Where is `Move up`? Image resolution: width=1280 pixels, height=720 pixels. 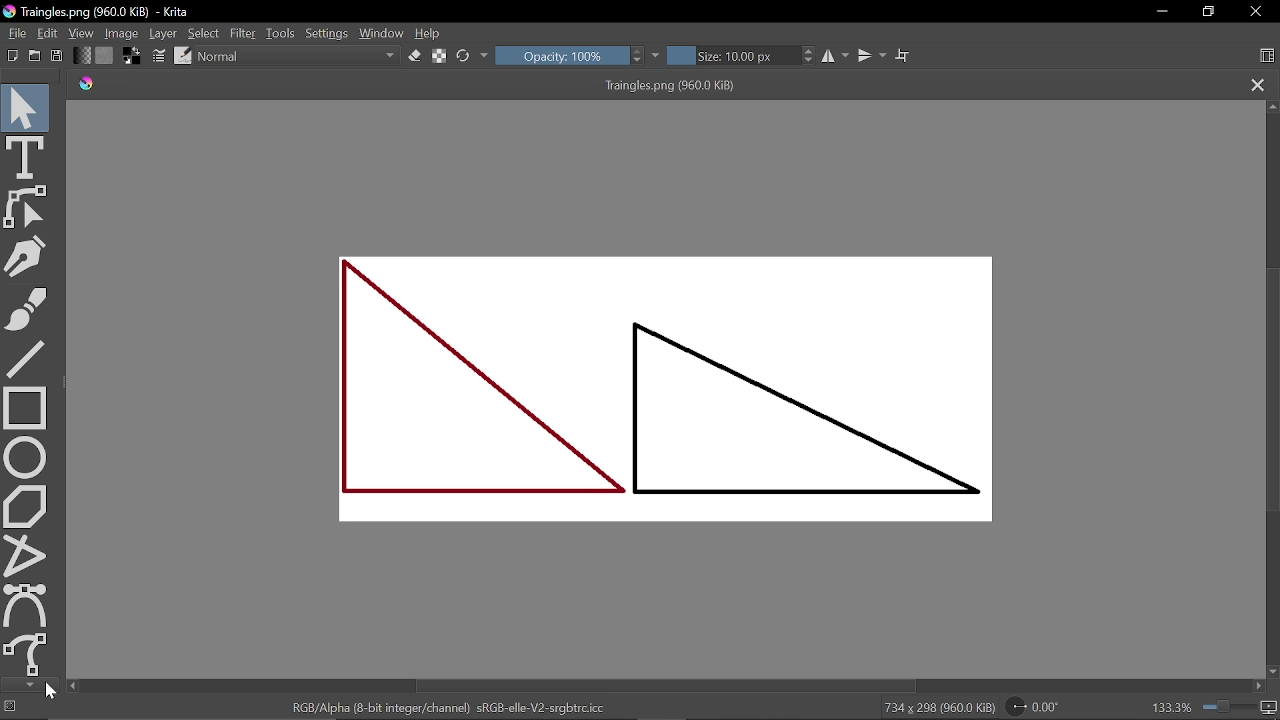 Move up is located at coordinates (1272, 107).